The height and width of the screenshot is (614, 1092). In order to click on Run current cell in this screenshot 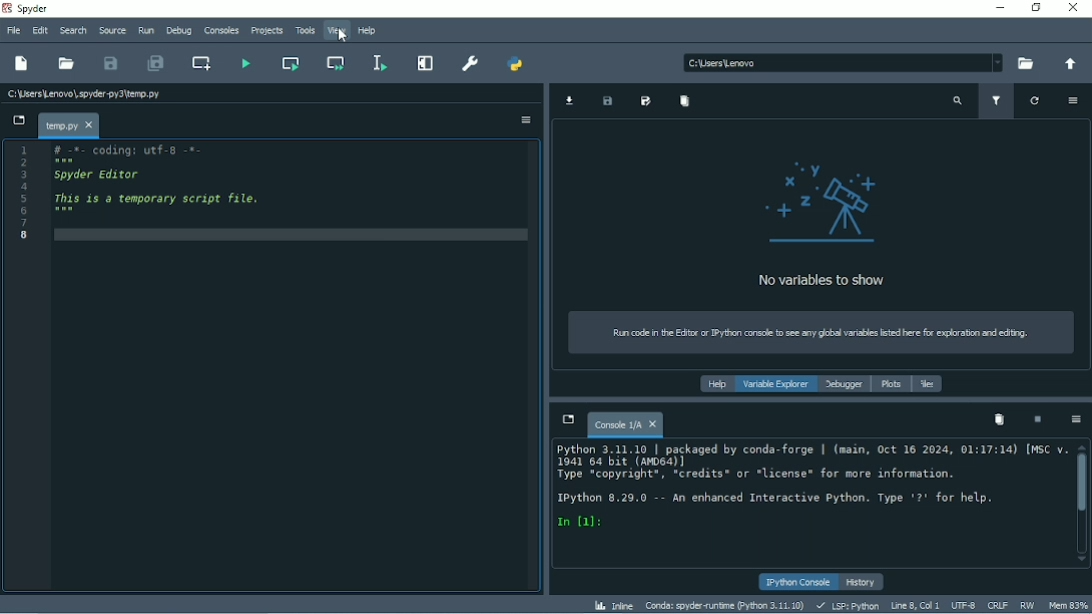, I will do `click(292, 63)`.